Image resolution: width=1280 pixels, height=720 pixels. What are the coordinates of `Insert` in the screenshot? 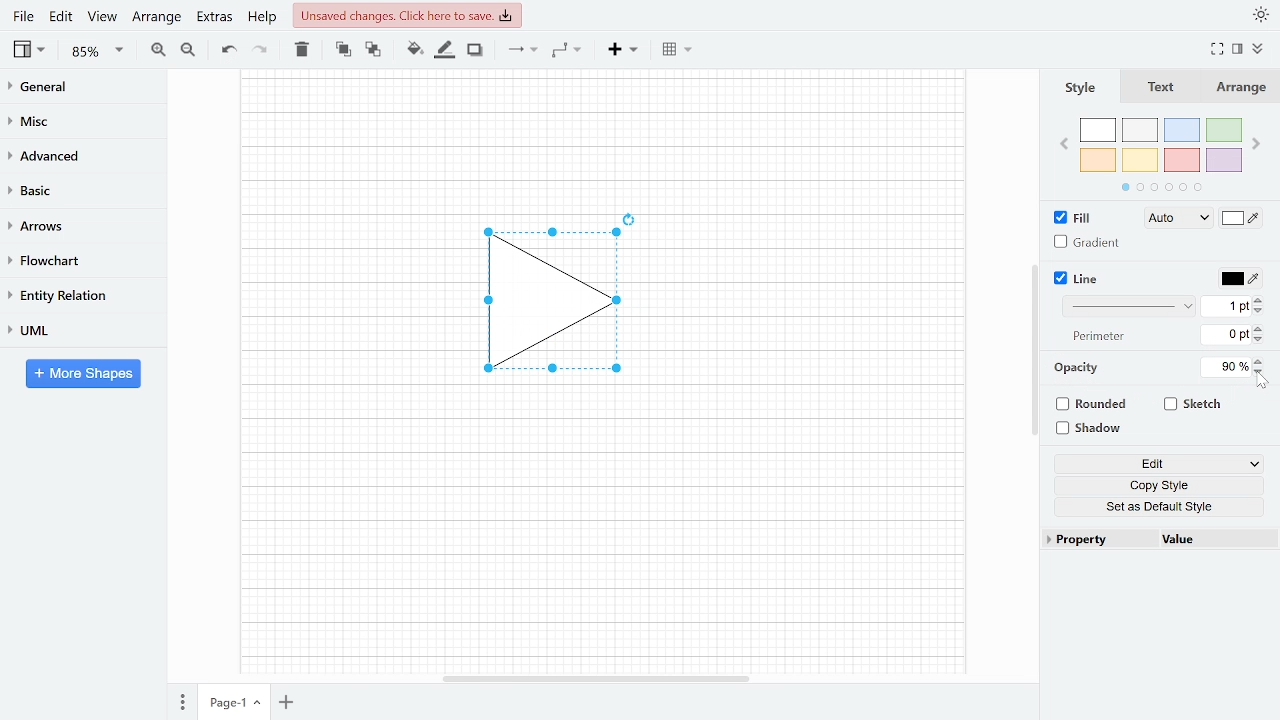 It's located at (623, 48).